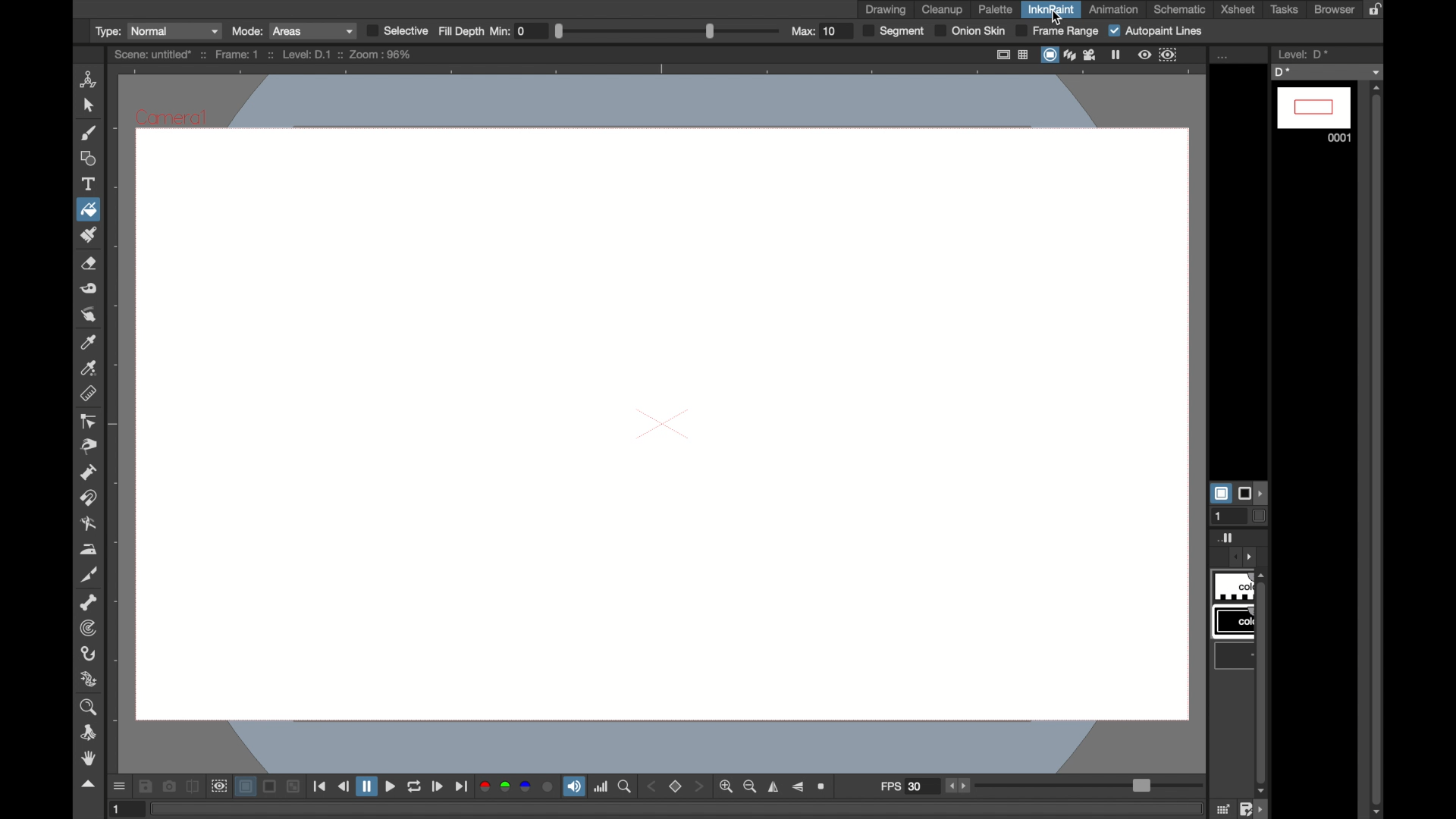 This screenshot has width=1456, height=819. Describe the element at coordinates (89, 785) in the screenshot. I see `drag handle` at that location.